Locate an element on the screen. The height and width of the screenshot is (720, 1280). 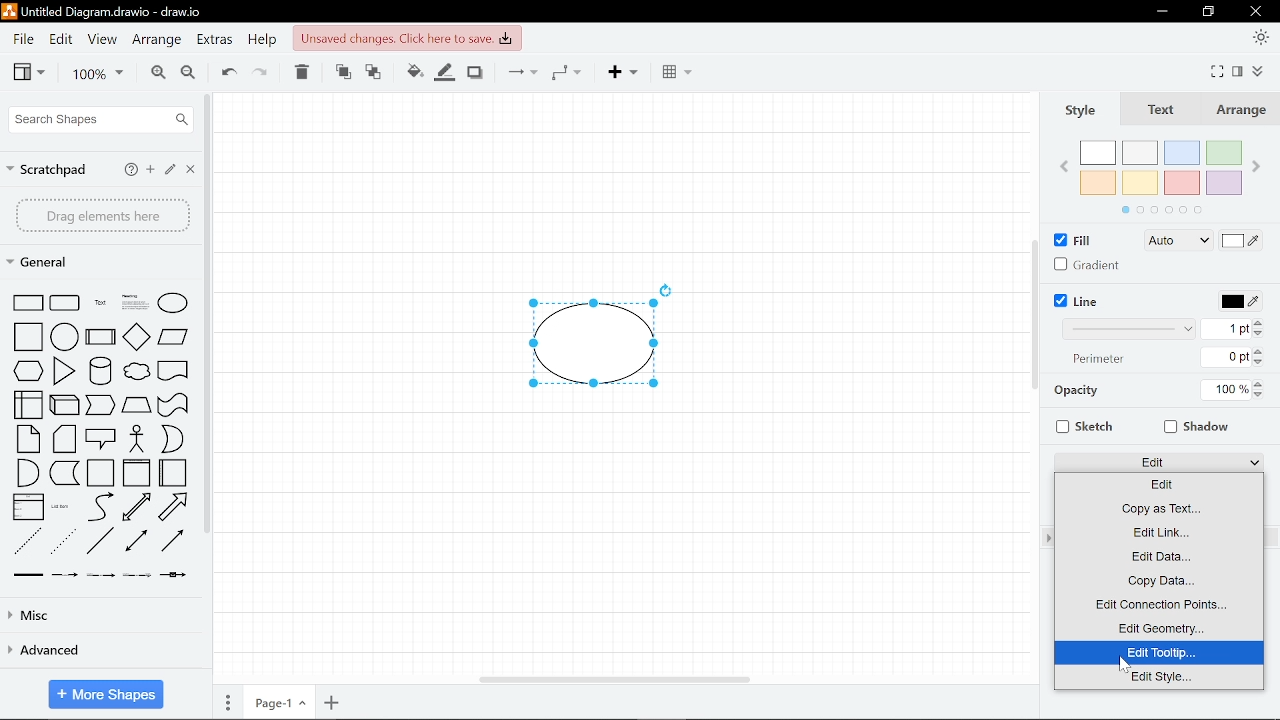
Increase perimeter is located at coordinates (1261, 352).